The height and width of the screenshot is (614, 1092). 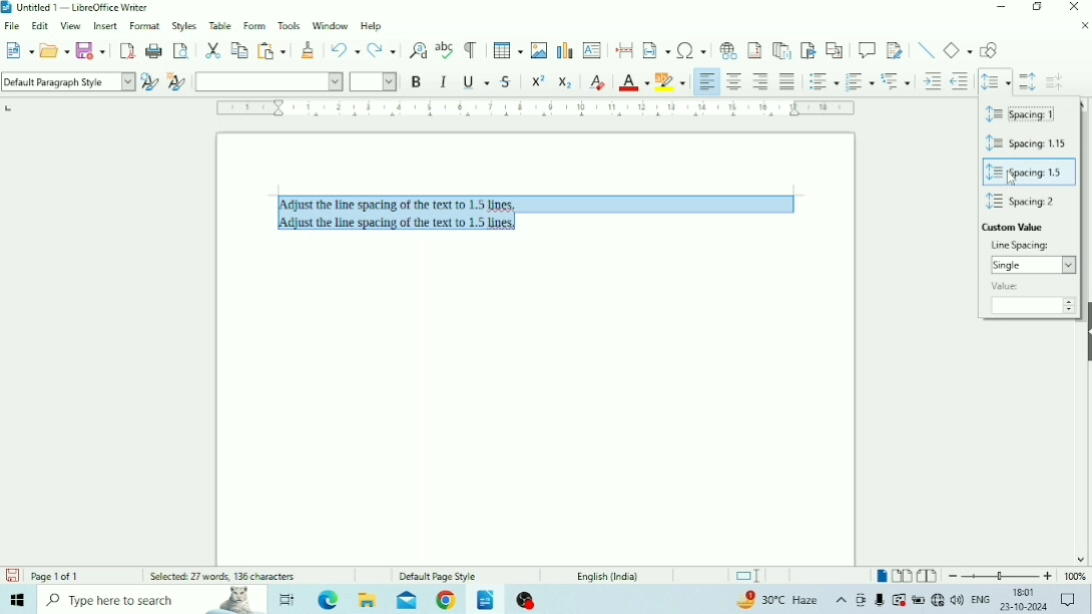 I want to click on Task view, so click(x=287, y=599).